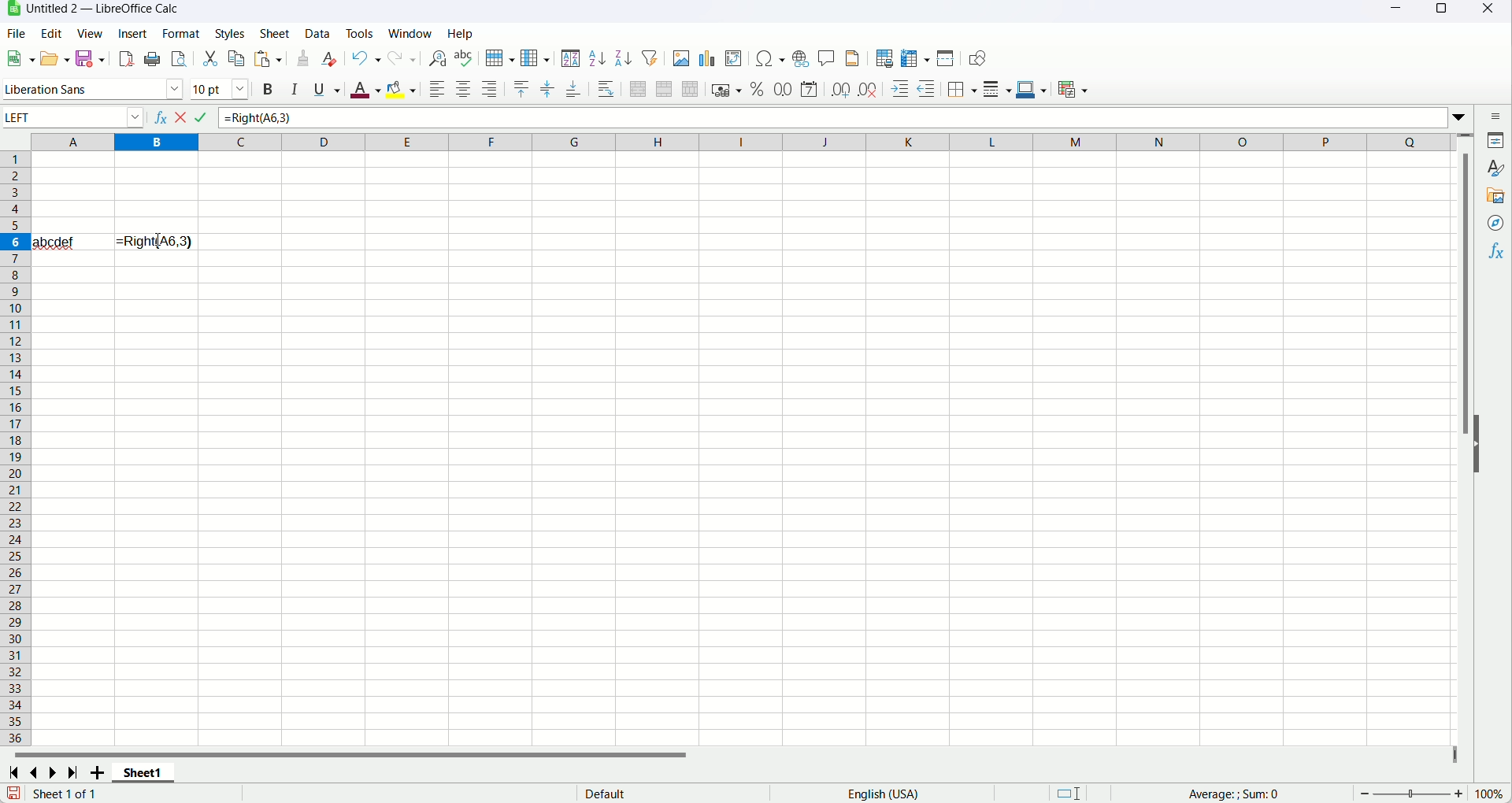  What do you see at coordinates (572, 60) in the screenshot?
I see `sort` at bounding box center [572, 60].